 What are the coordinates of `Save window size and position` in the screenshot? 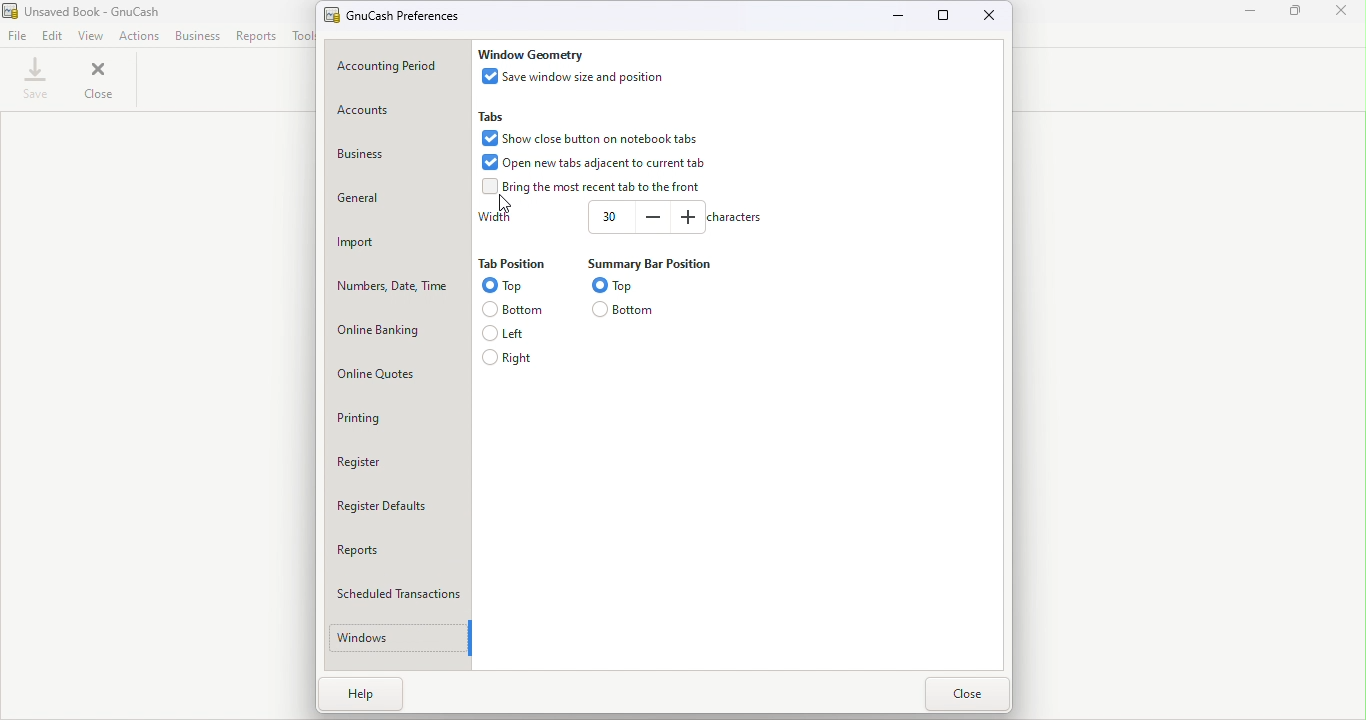 It's located at (578, 76).